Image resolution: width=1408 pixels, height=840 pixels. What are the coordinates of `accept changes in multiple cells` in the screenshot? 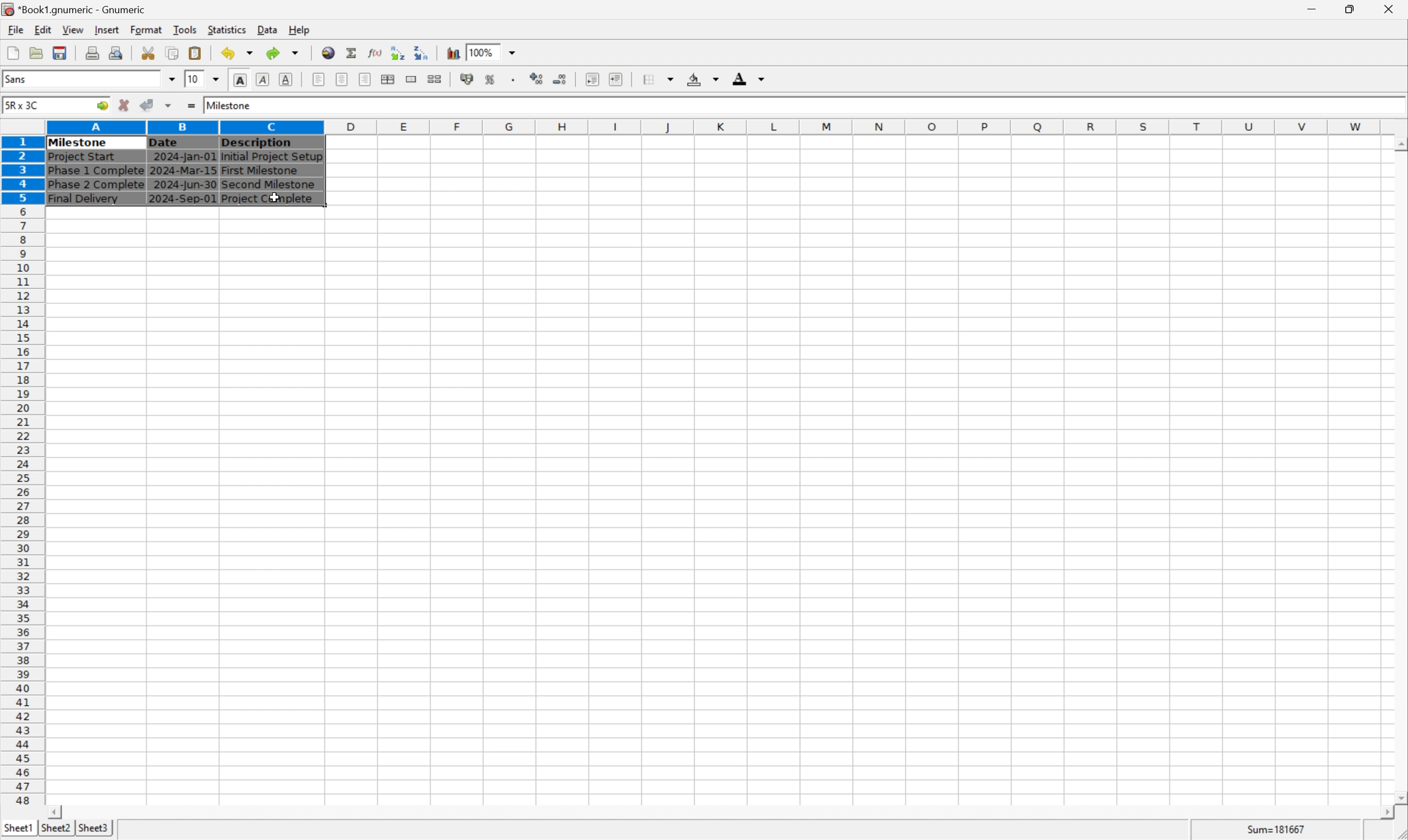 It's located at (170, 108).